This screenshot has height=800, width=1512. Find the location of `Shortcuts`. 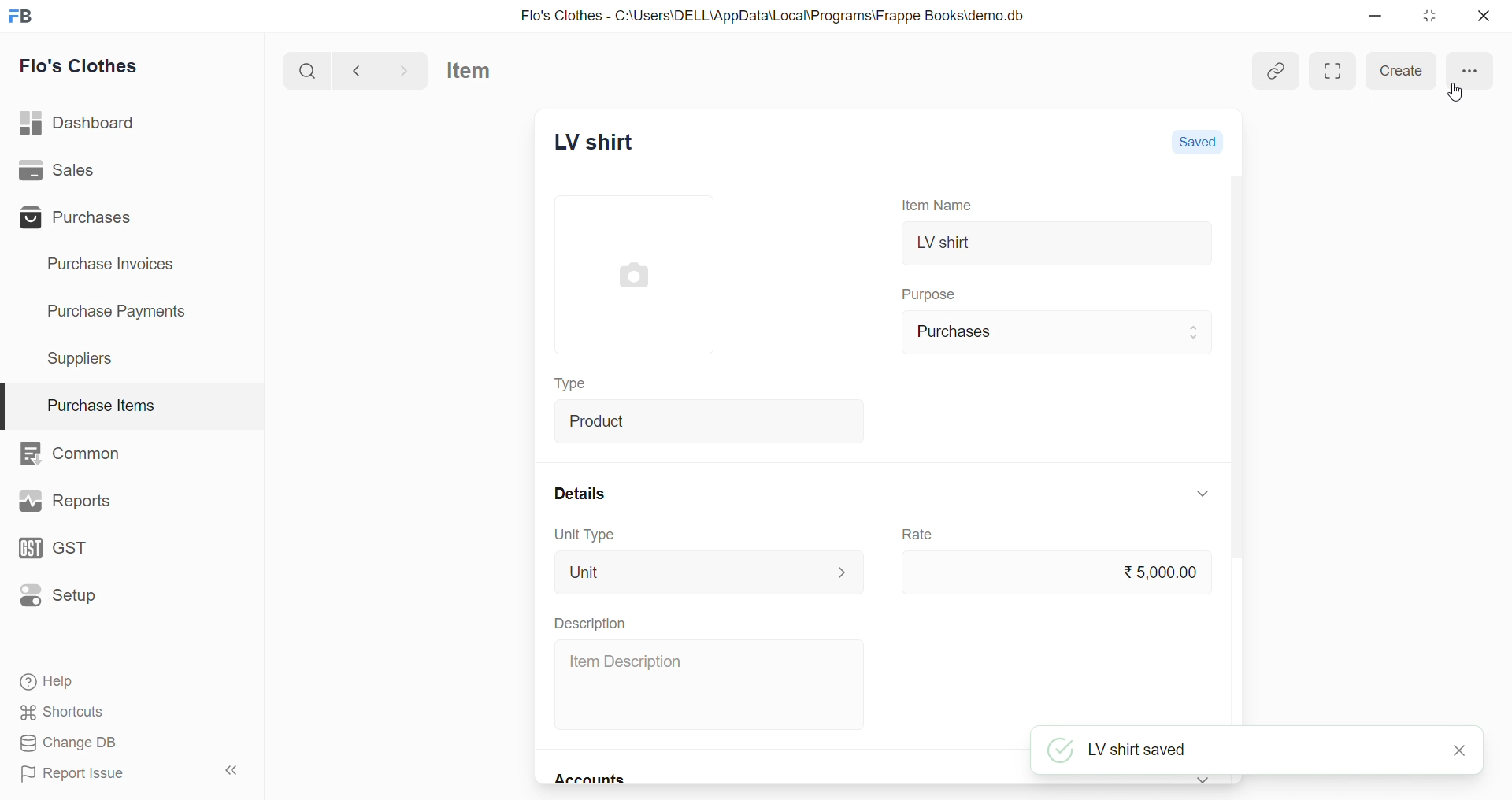

Shortcuts is located at coordinates (127, 711).